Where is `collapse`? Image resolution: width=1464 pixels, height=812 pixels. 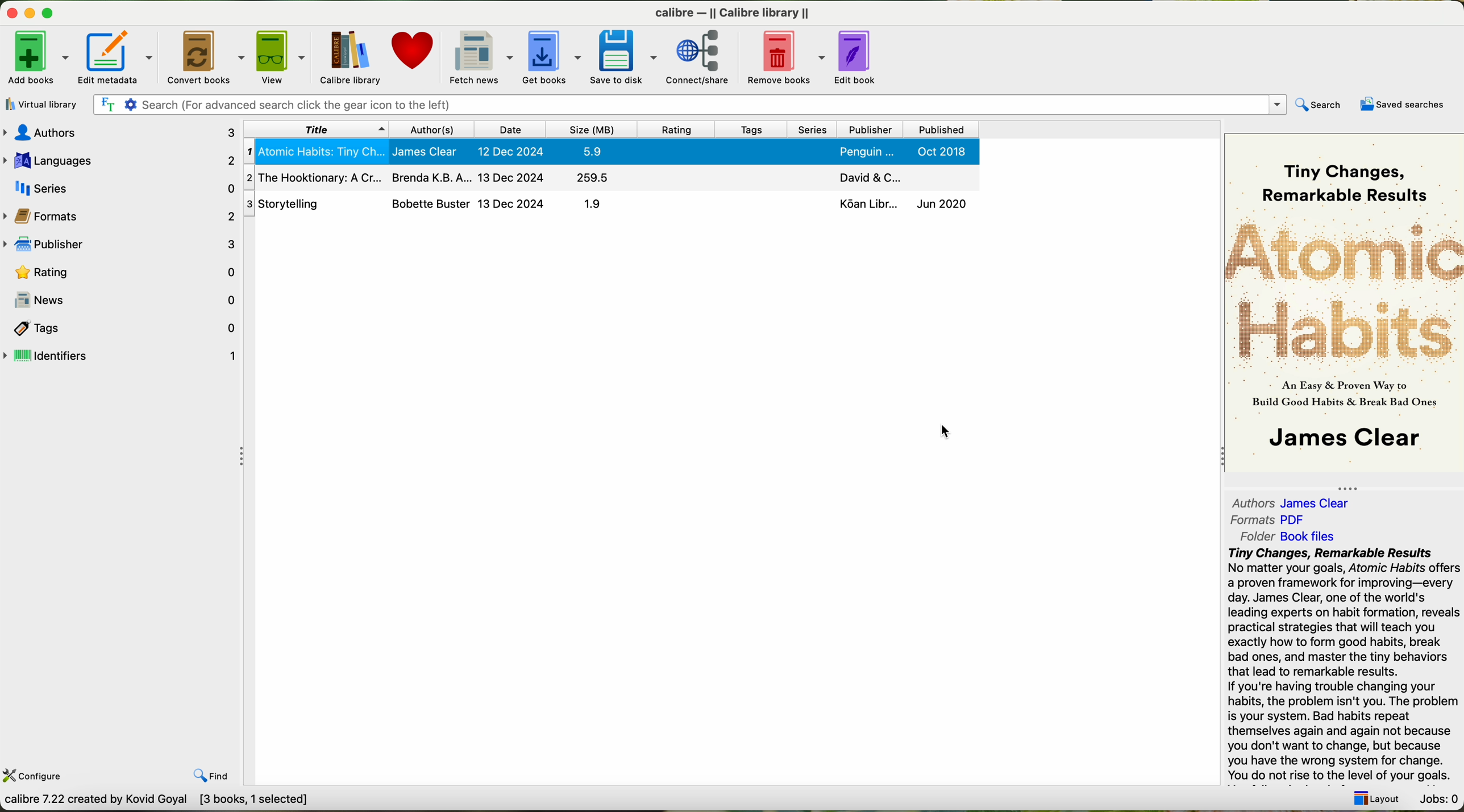
collapse is located at coordinates (1354, 485).